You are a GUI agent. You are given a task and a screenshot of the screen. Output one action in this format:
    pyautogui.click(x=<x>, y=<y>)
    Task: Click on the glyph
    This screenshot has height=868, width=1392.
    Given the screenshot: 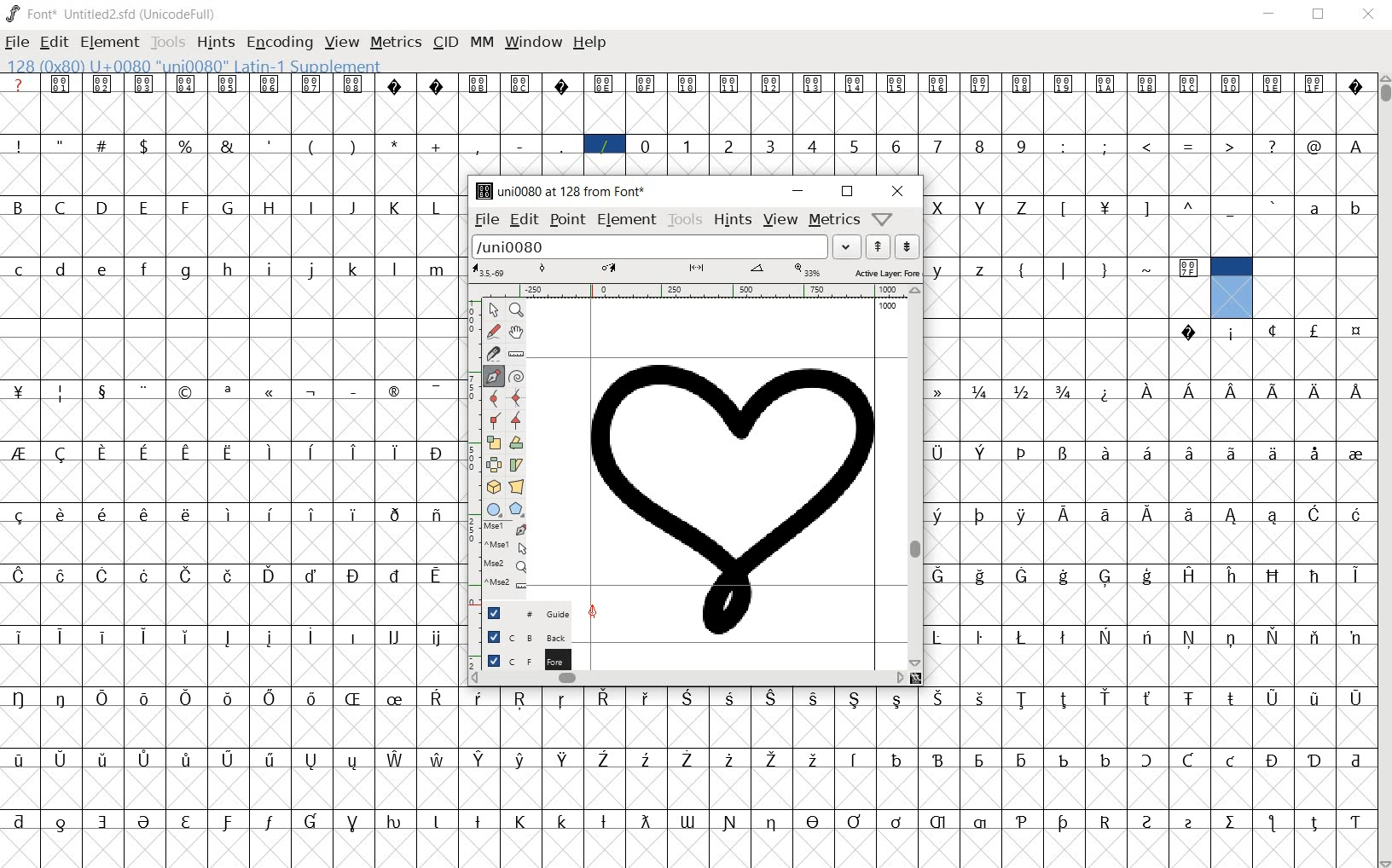 What is the action you would take?
    pyautogui.click(x=437, y=86)
    